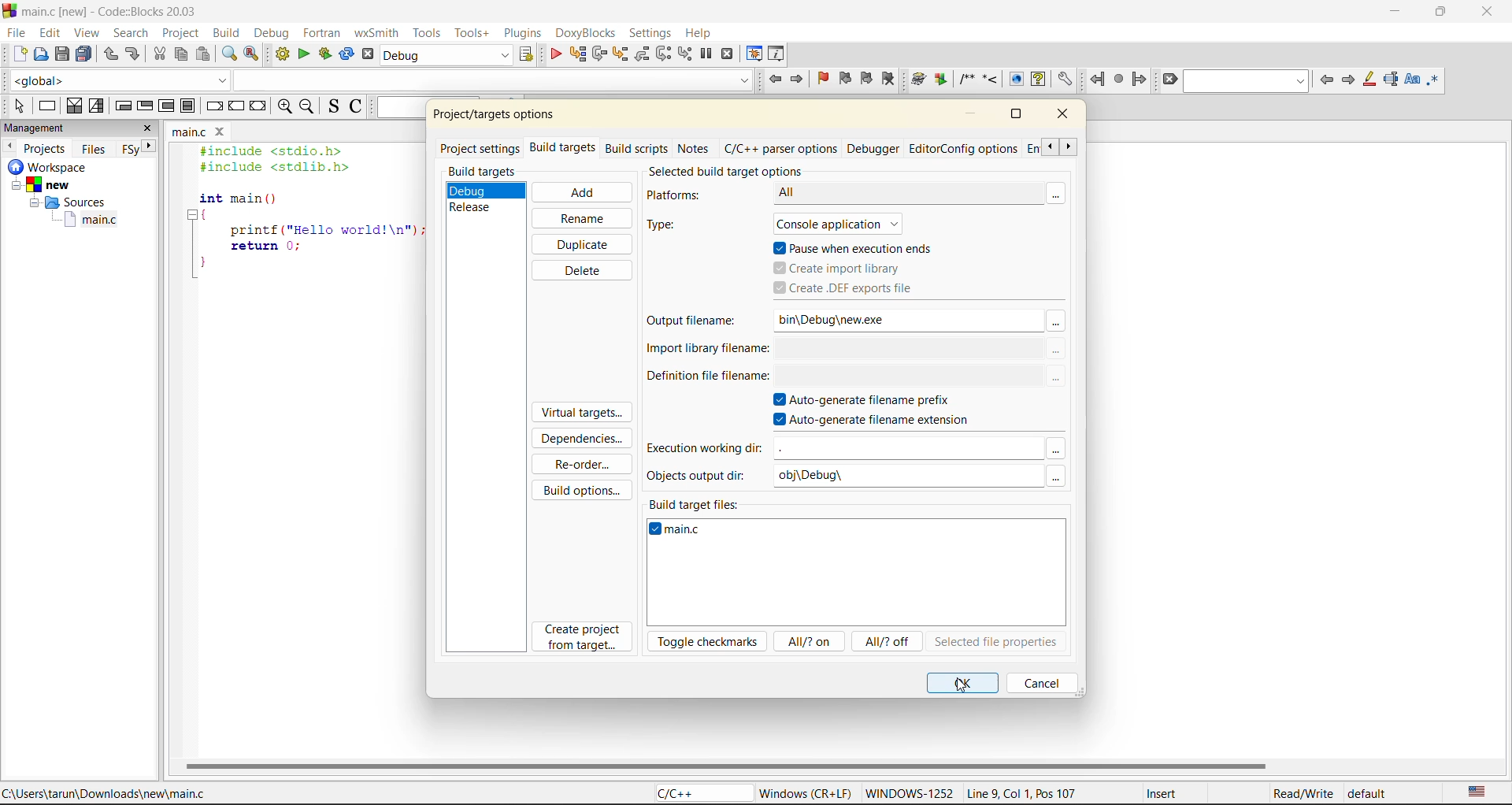  Describe the element at coordinates (724, 55) in the screenshot. I see `stop debugger` at that location.